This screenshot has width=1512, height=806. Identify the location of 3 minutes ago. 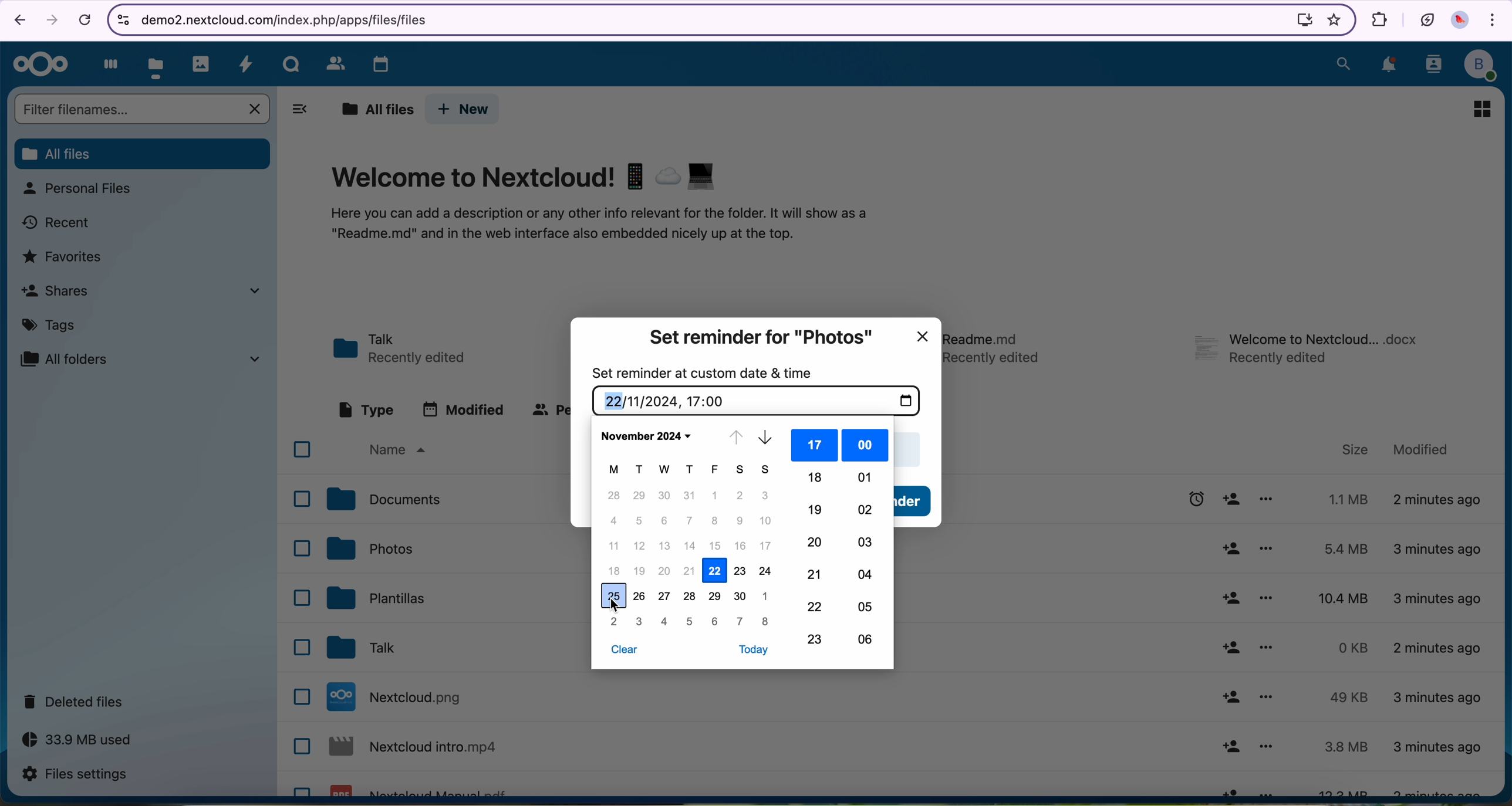
(1437, 548).